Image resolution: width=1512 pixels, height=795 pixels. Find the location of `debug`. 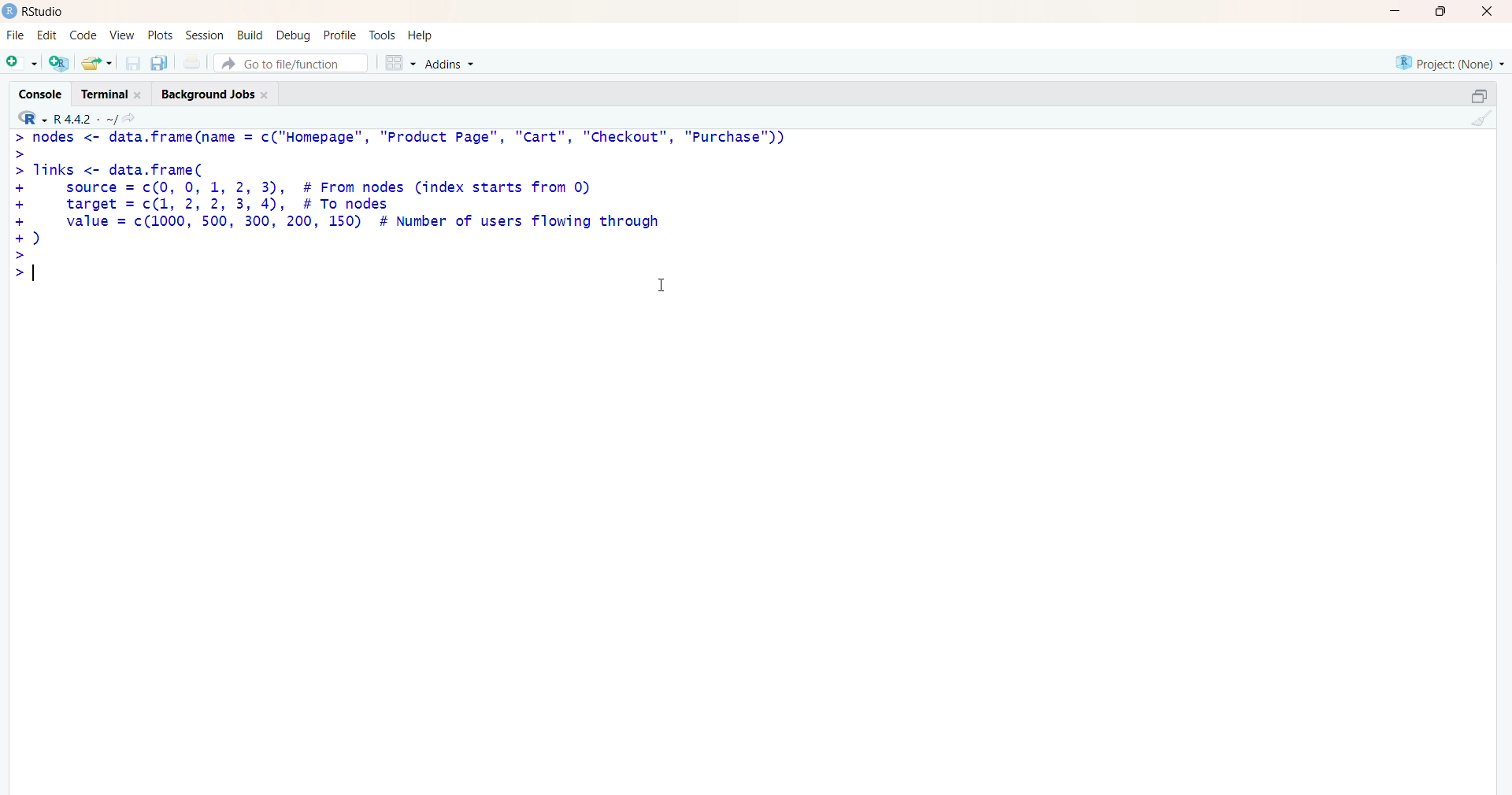

debug is located at coordinates (291, 35).